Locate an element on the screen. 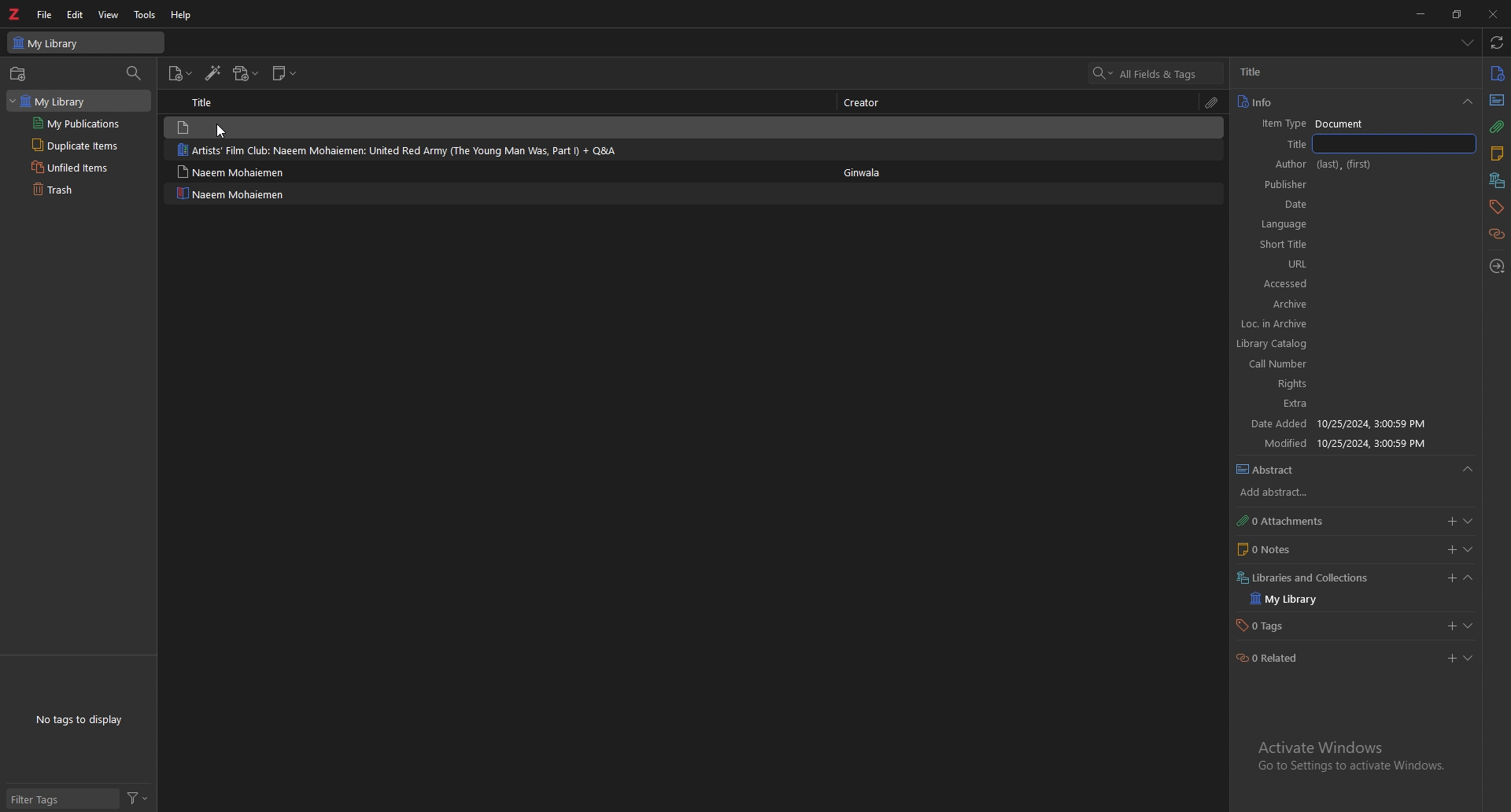 Image resolution: width=1511 pixels, height=812 pixels. title is located at coordinates (1279, 143).